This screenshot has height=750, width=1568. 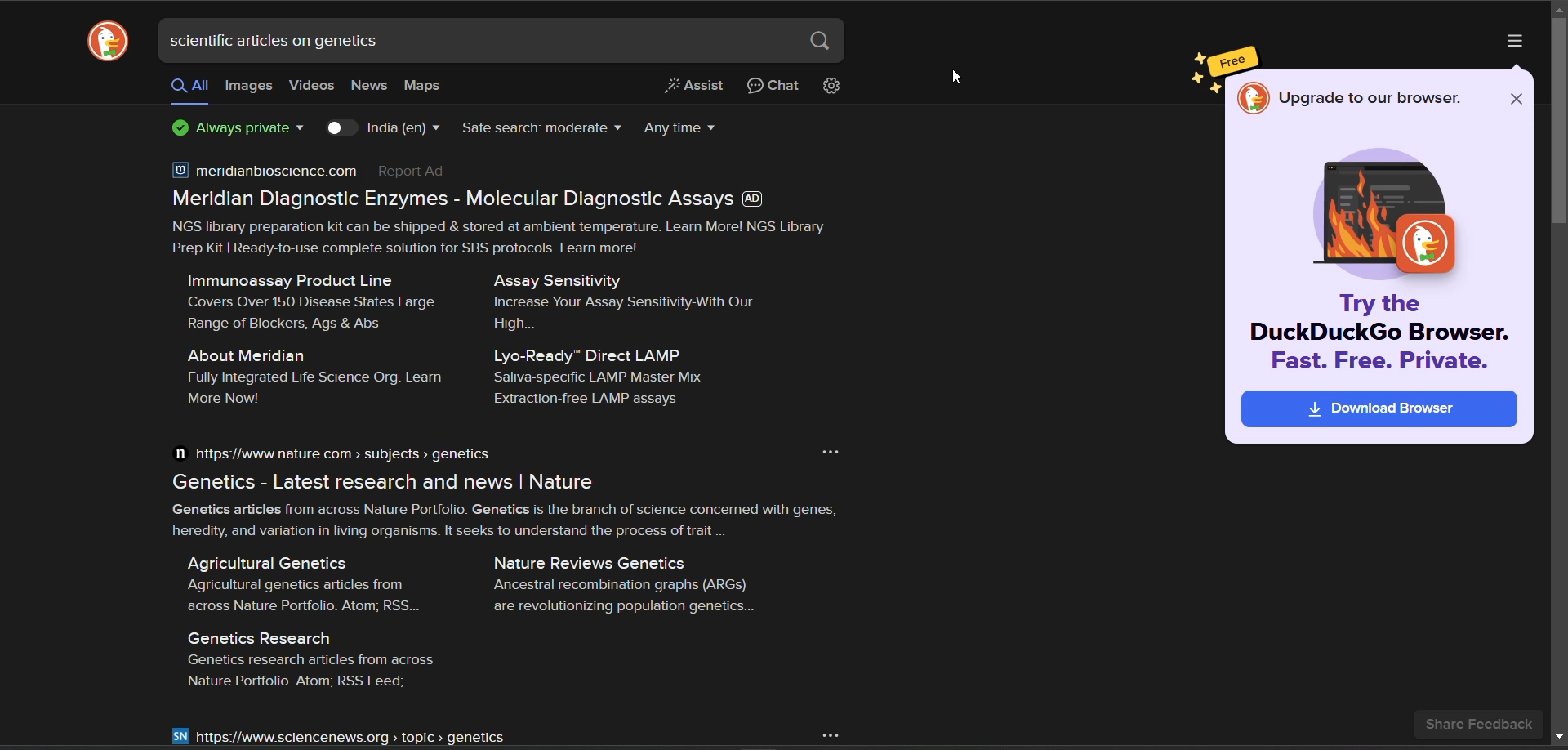 What do you see at coordinates (617, 298) in the screenshot?
I see `Assay Sensitivity
Increase Your Assay Sensitivity-With Our
High.` at bounding box center [617, 298].